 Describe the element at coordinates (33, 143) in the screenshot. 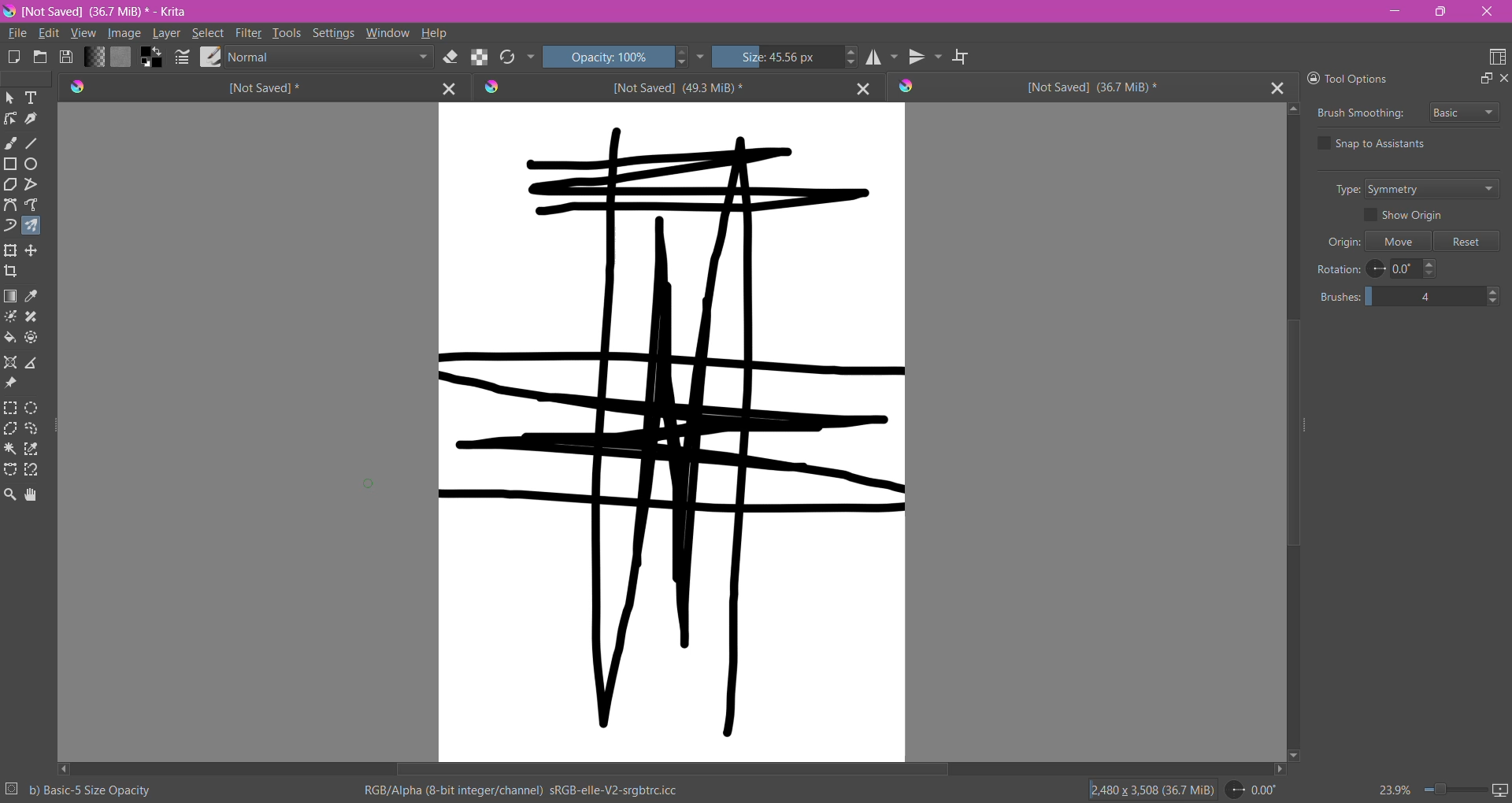

I see `Line Tool` at that location.